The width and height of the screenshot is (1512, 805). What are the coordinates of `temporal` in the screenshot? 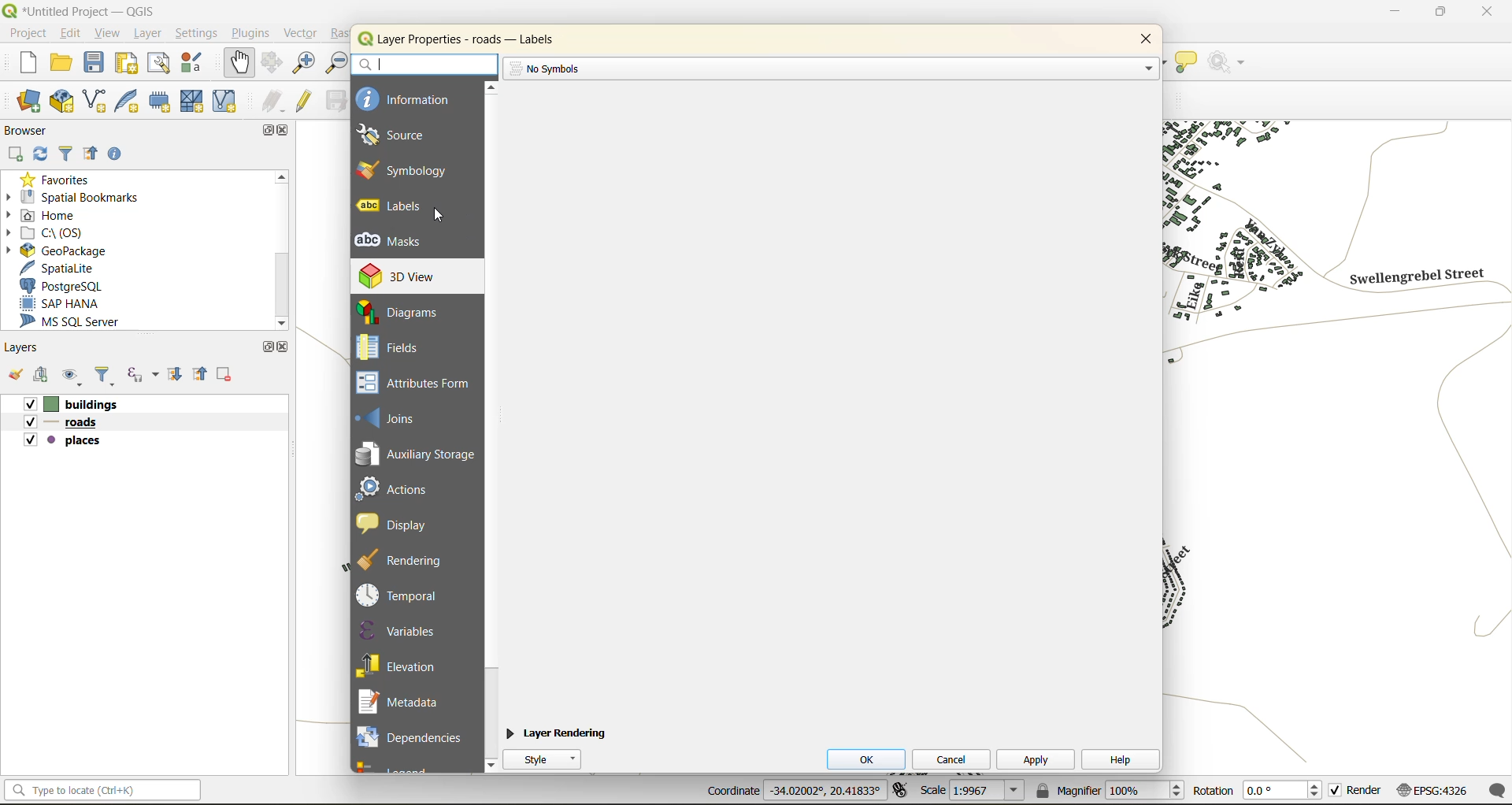 It's located at (402, 595).